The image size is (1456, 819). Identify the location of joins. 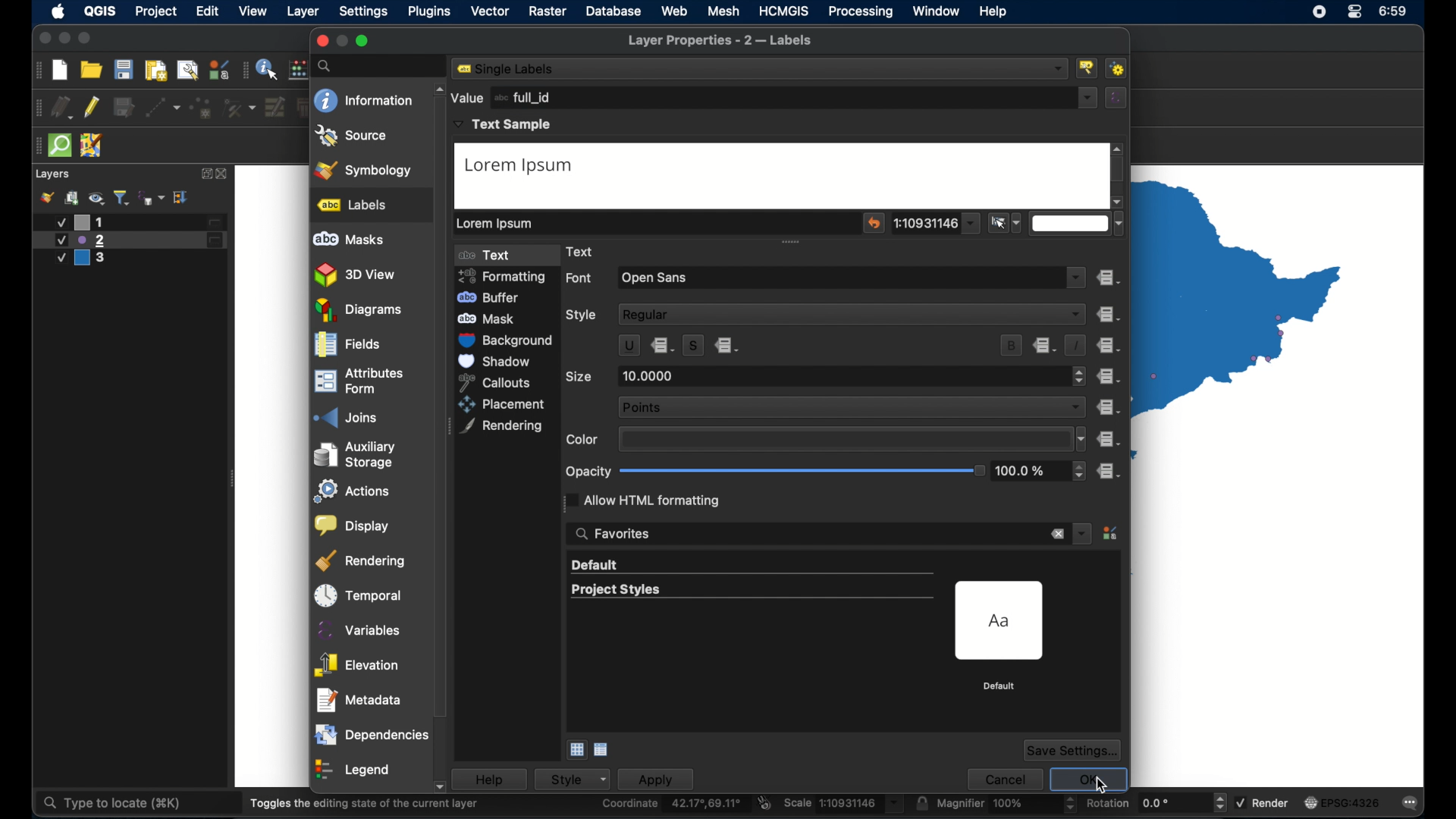
(344, 413).